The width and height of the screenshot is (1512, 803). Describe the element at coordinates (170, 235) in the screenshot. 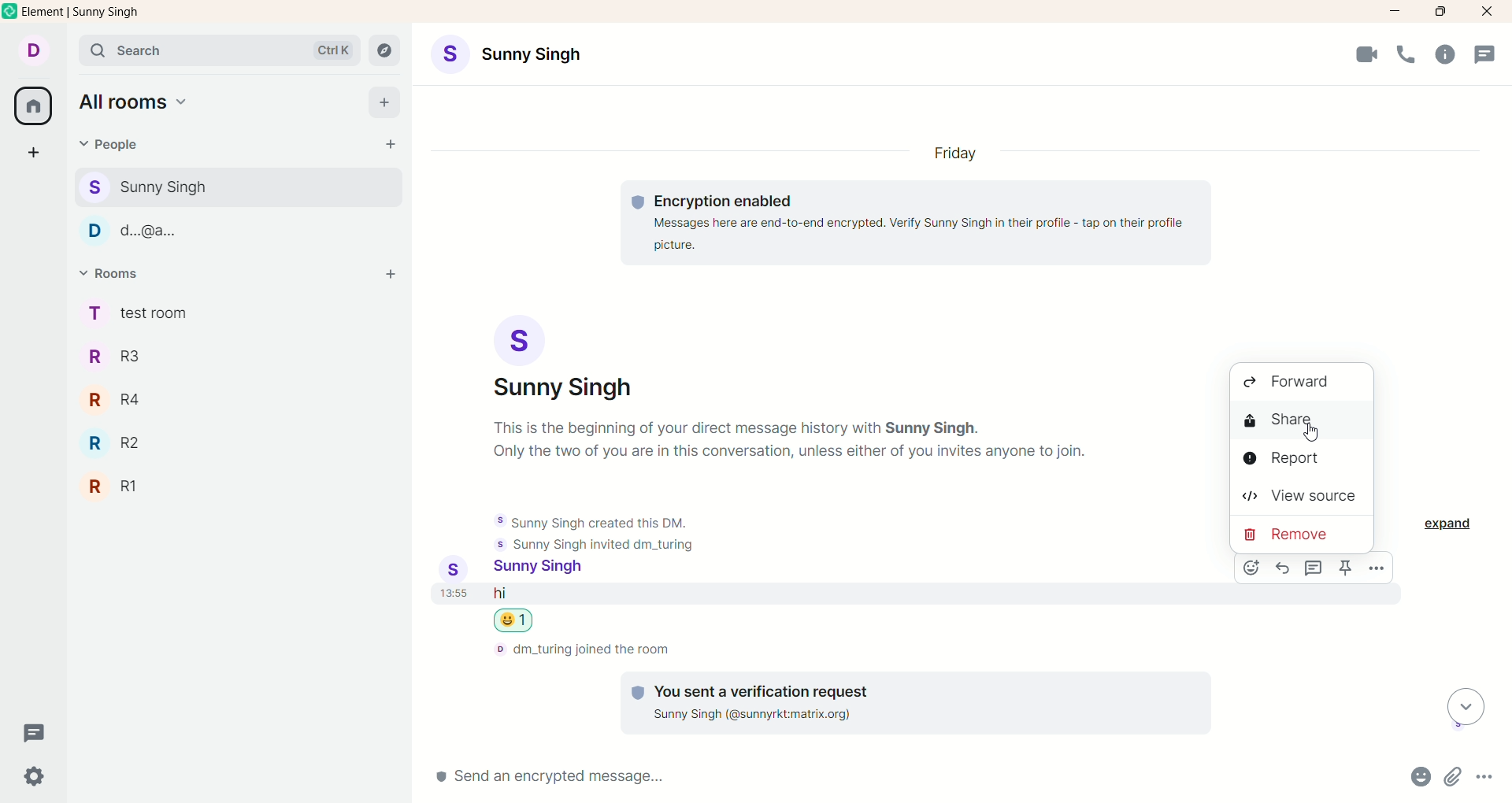

I see `People` at that location.